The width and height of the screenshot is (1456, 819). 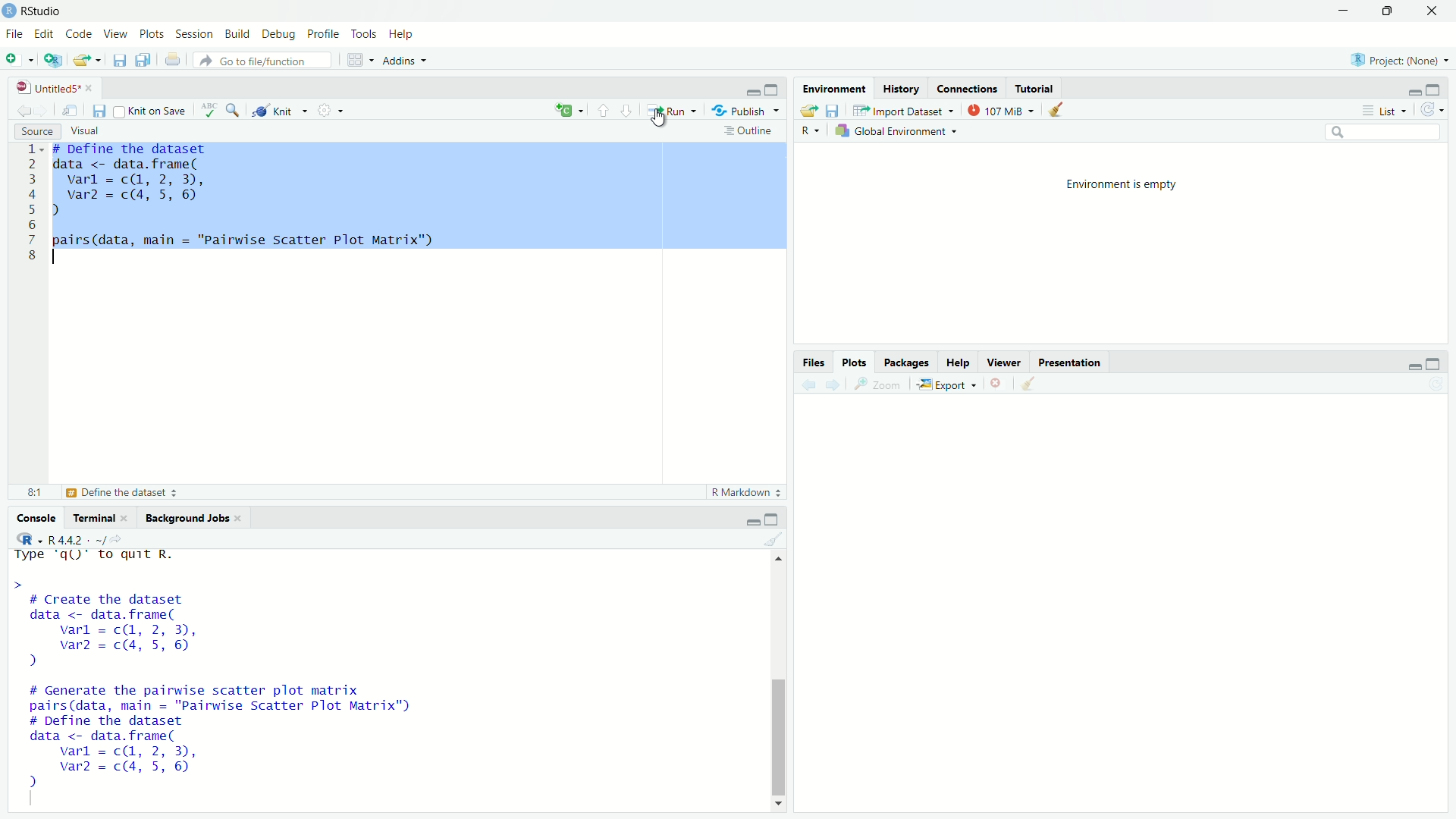 I want to click on Files, so click(x=814, y=361).